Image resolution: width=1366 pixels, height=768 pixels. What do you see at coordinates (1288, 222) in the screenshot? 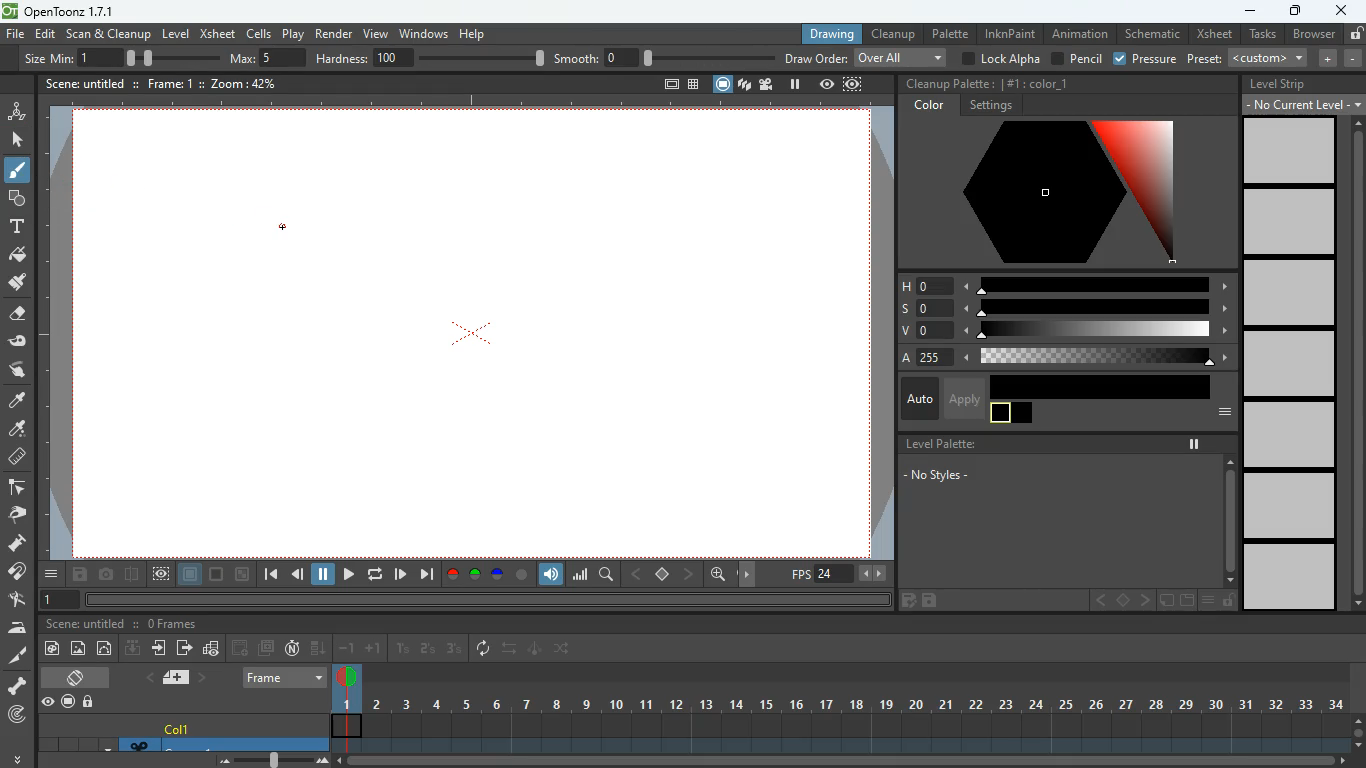
I see `level` at bounding box center [1288, 222].